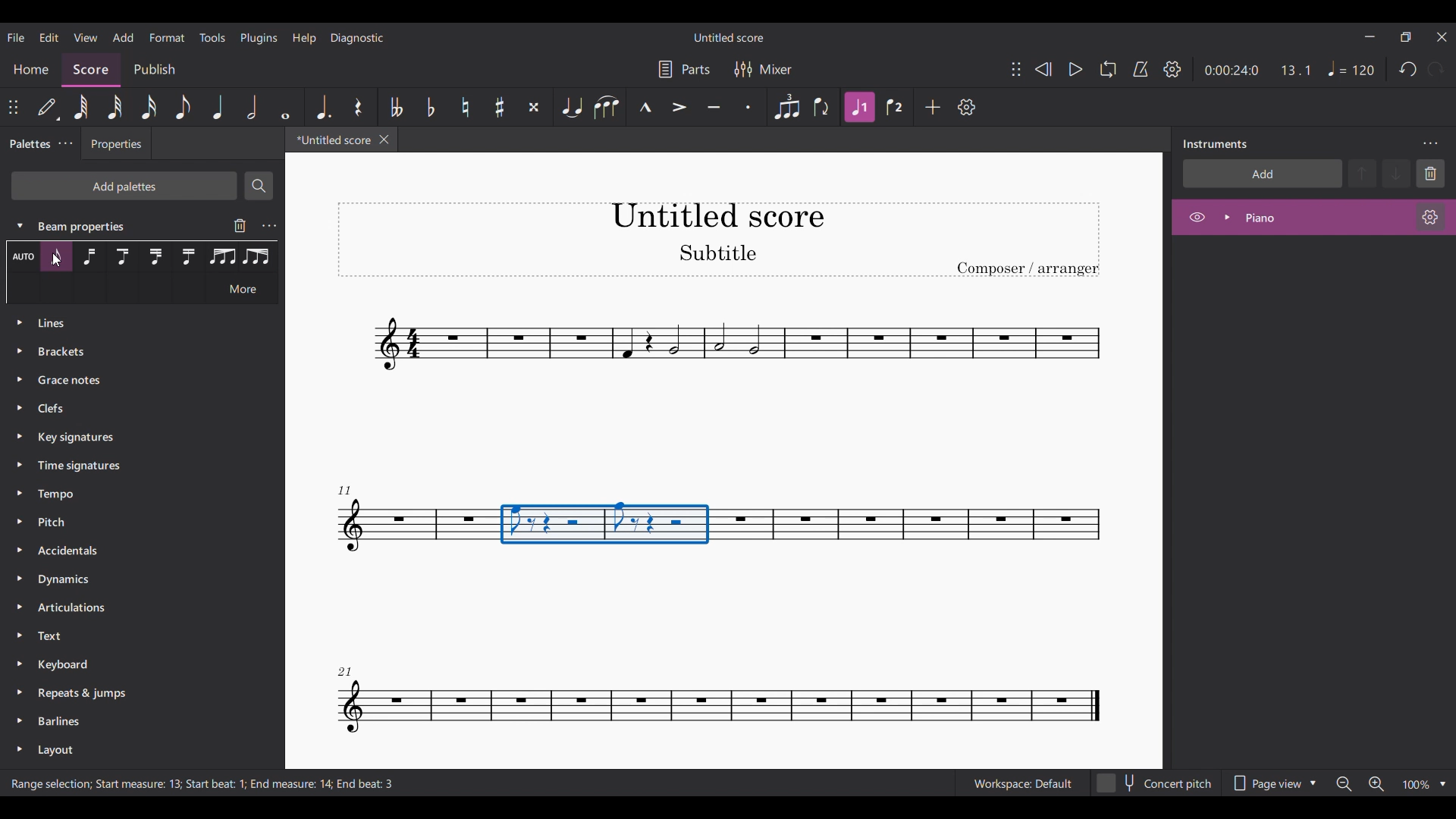 The width and height of the screenshot is (1456, 819). I want to click on Panel settings, so click(1430, 144).